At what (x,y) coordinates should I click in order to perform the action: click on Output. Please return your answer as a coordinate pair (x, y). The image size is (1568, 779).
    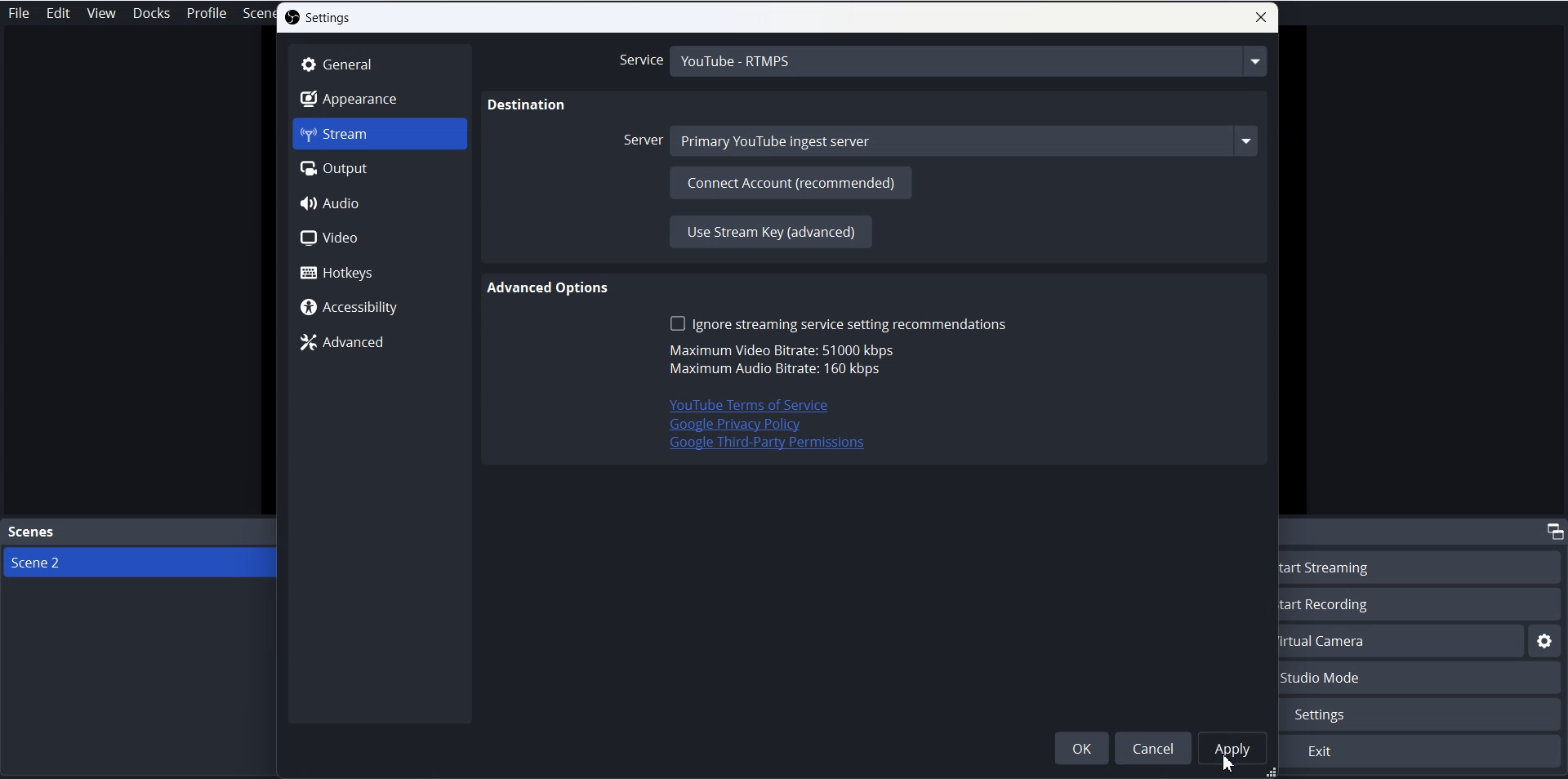
    Looking at the image, I should click on (380, 168).